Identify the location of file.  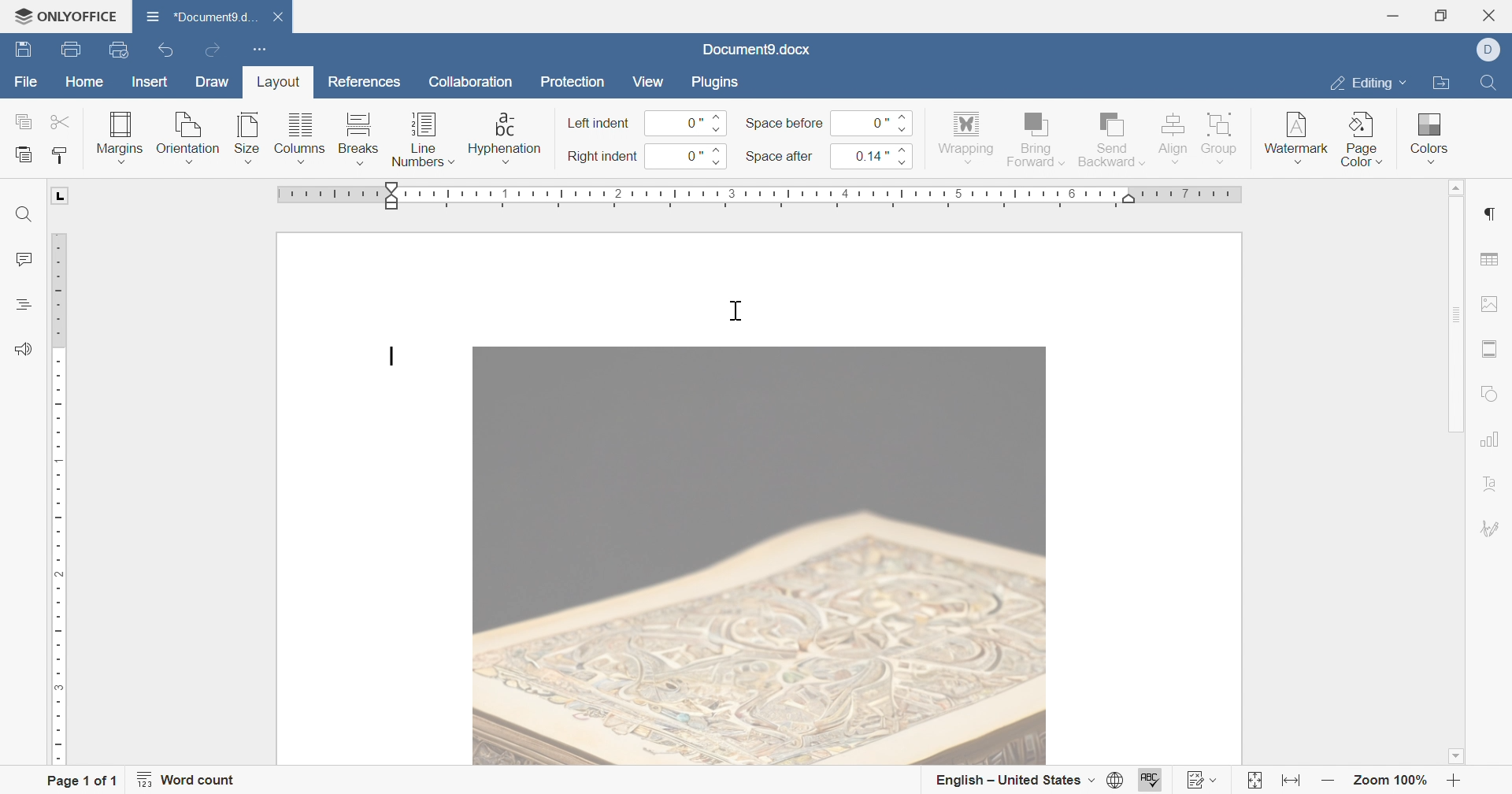
(27, 86).